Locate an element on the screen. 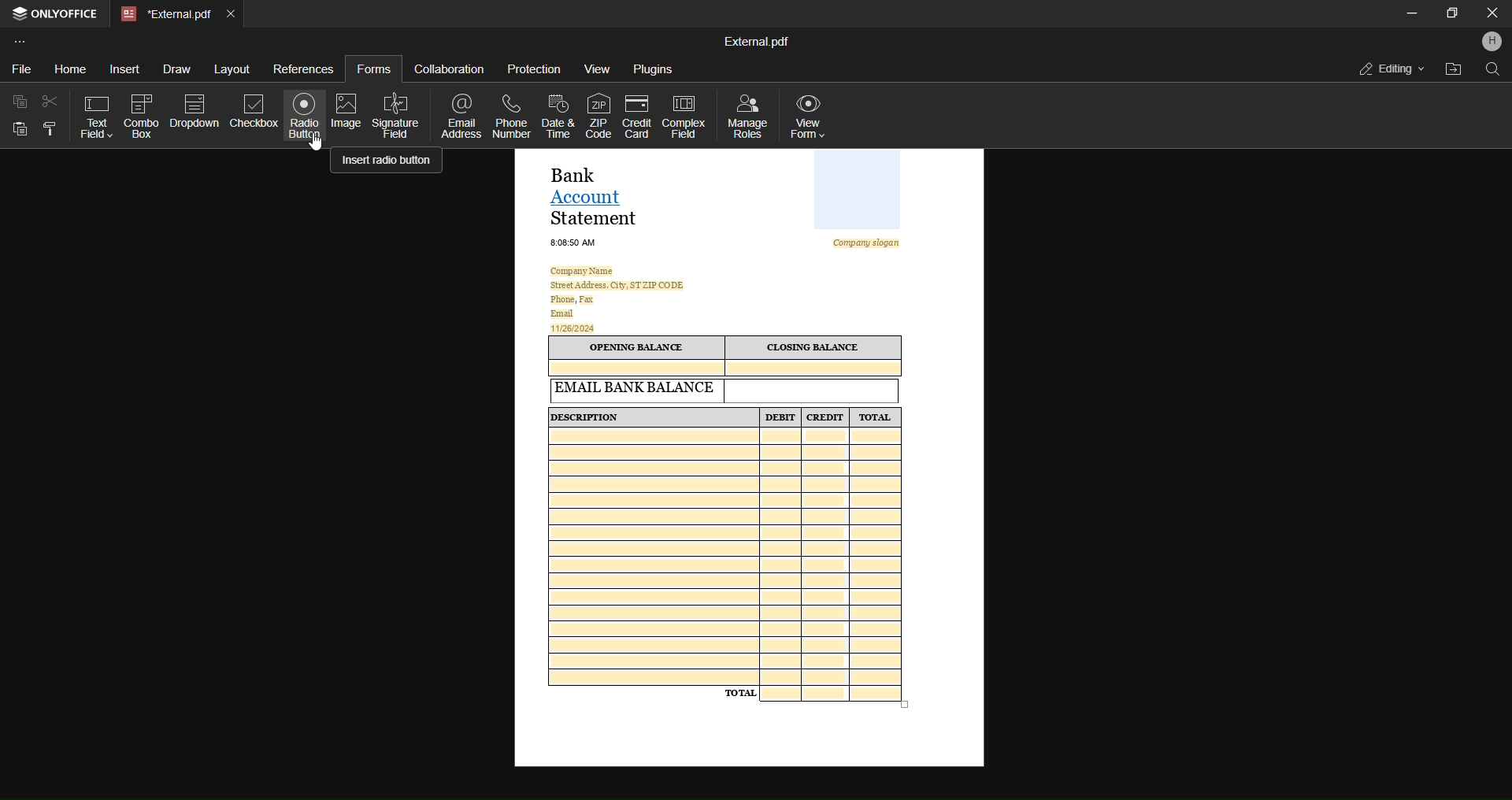 This screenshot has width=1512, height=800. customize toolbar is located at coordinates (23, 41).